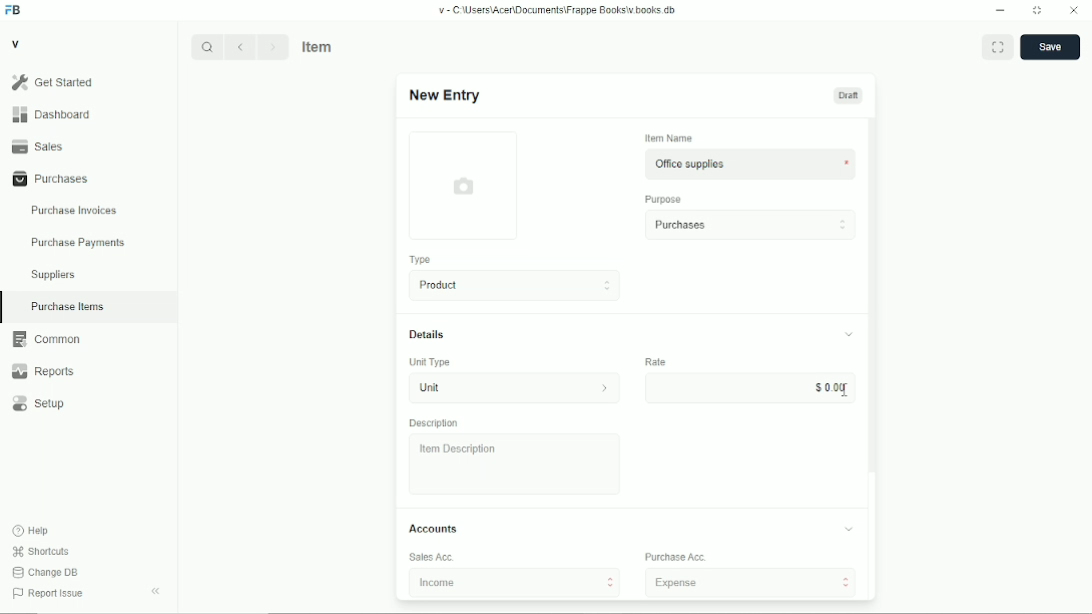 This screenshot has height=614, width=1092. Describe the element at coordinates (48, 593) in the screenshot. I see `report issue` at that location.